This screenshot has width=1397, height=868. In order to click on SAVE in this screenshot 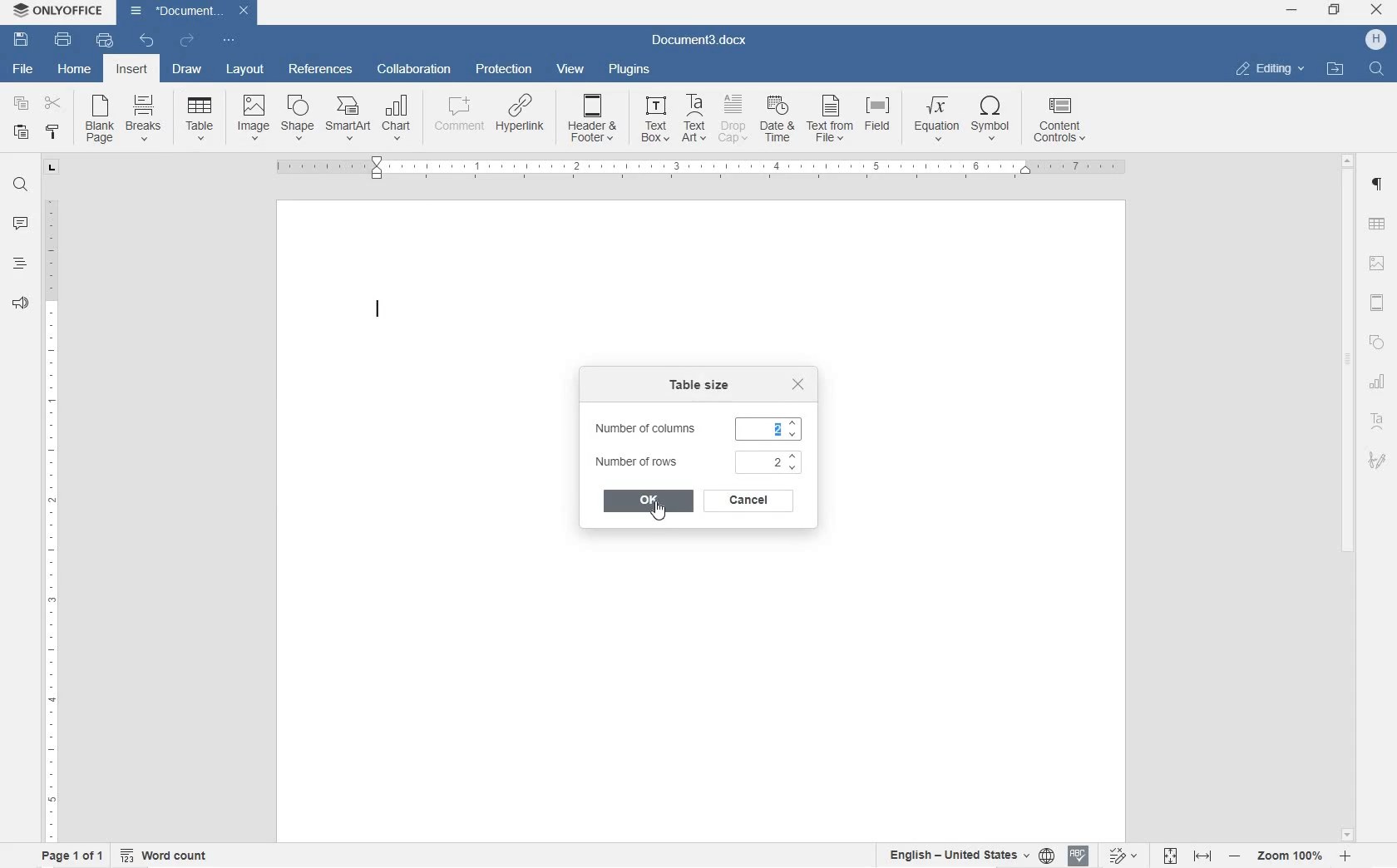, I will do `click(23, 37)`.